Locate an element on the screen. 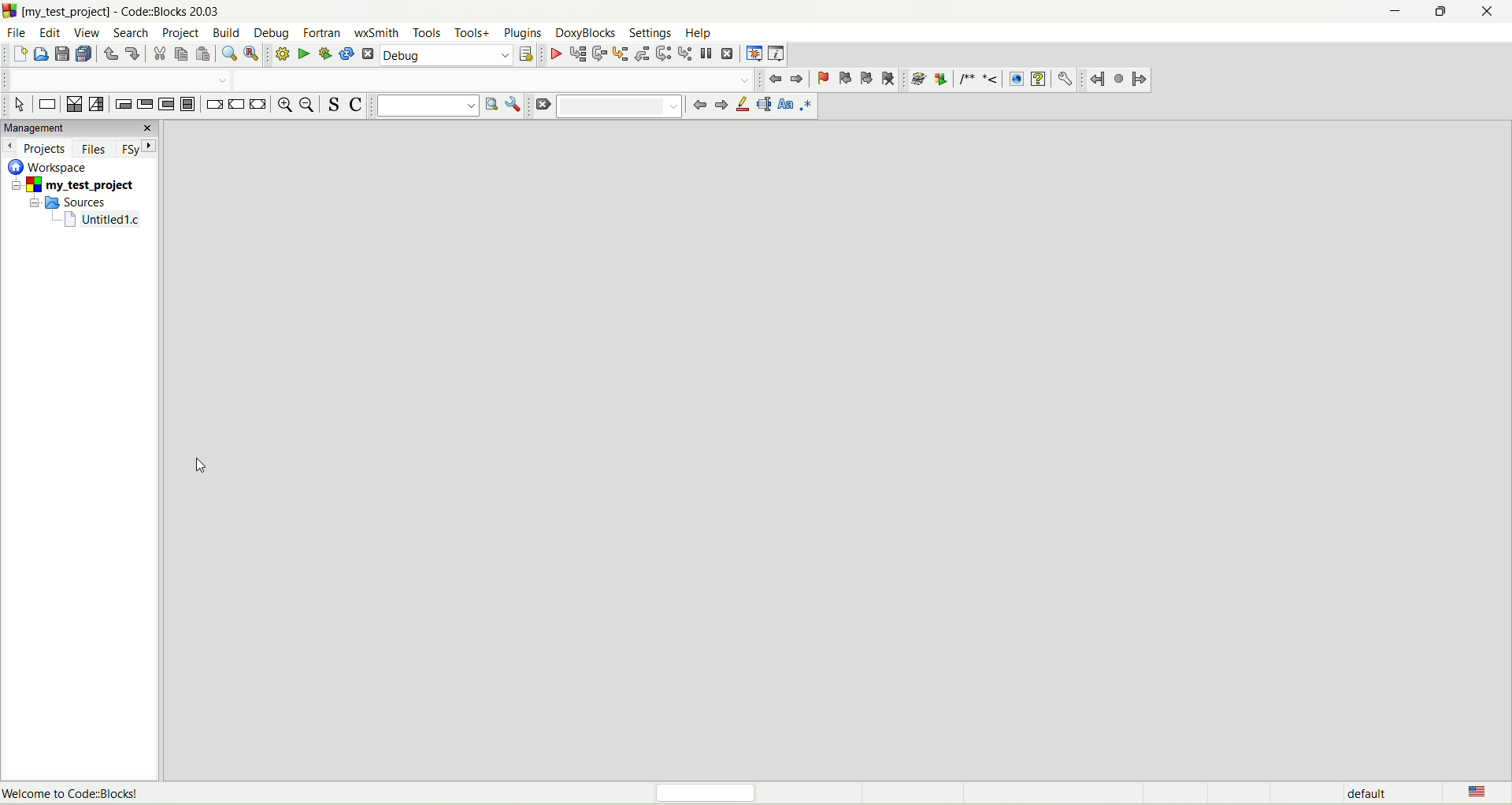 The height and width of the screenshot is (805, 1512). block instruction is located at coordinates (191, 105).